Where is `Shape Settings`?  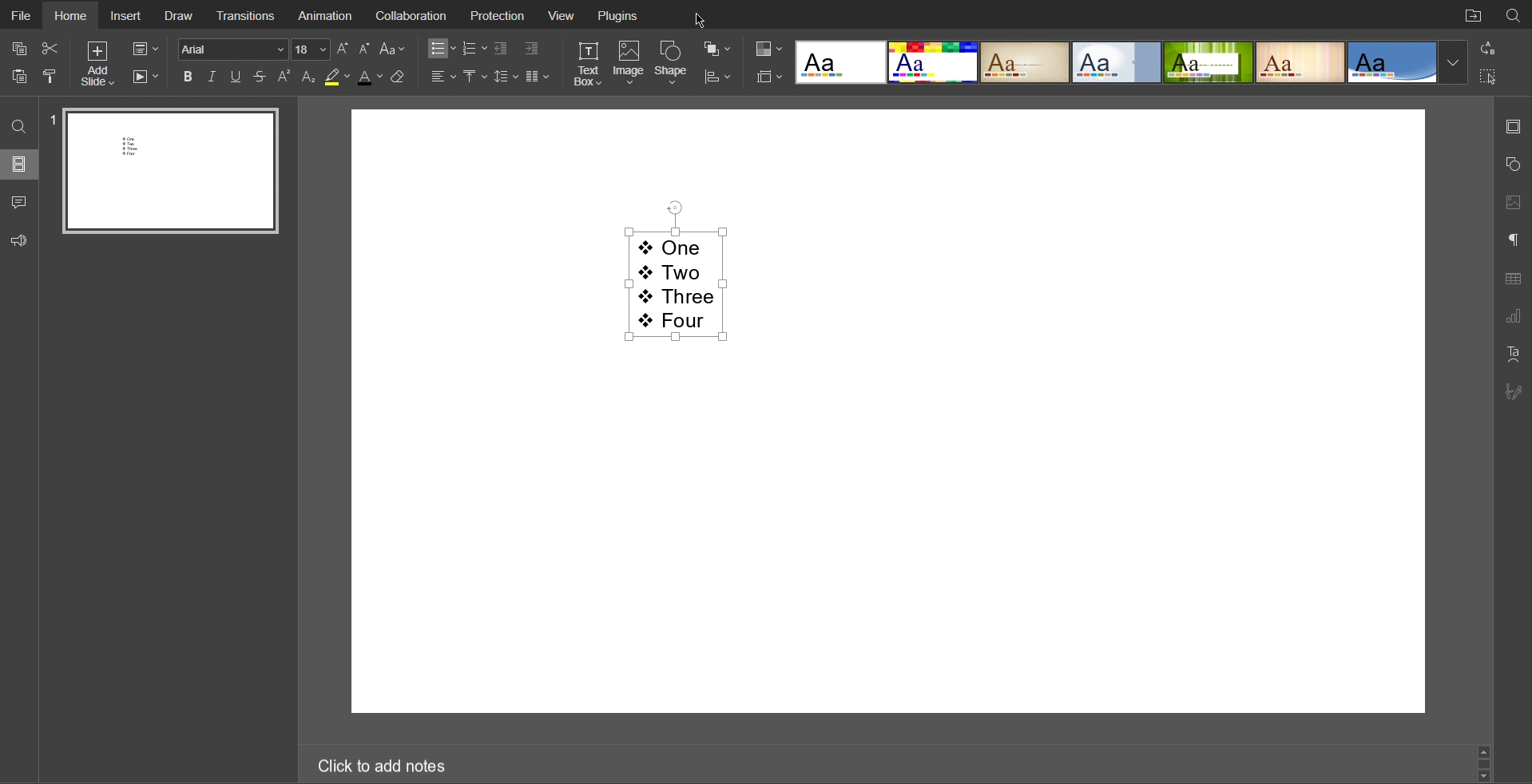 Shape Settings is located at coordinates (1511, 164).